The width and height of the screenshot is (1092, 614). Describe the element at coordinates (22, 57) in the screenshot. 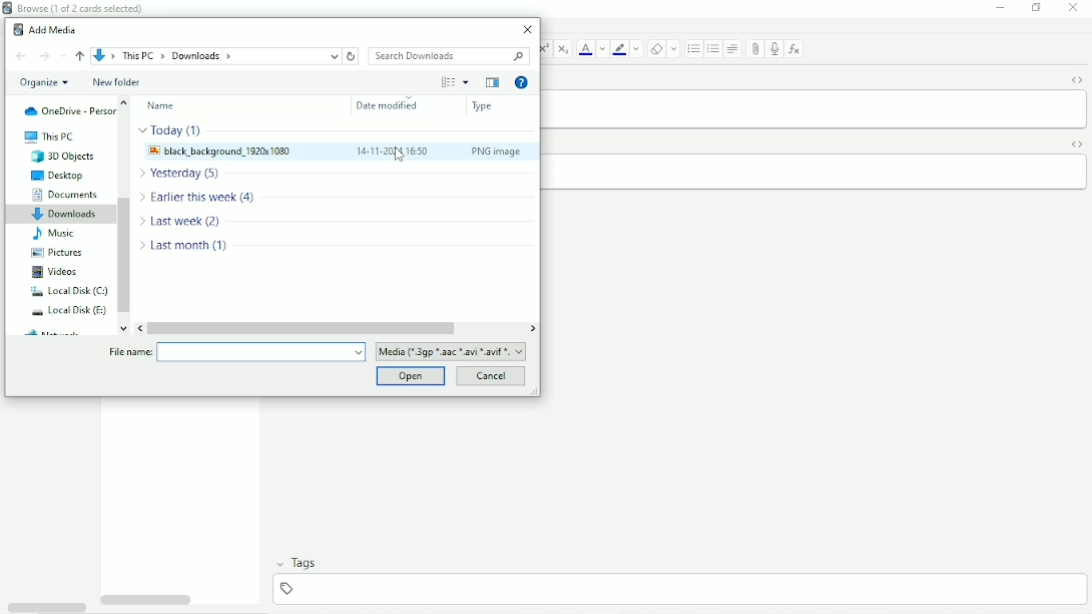

I see `Back` at that location.